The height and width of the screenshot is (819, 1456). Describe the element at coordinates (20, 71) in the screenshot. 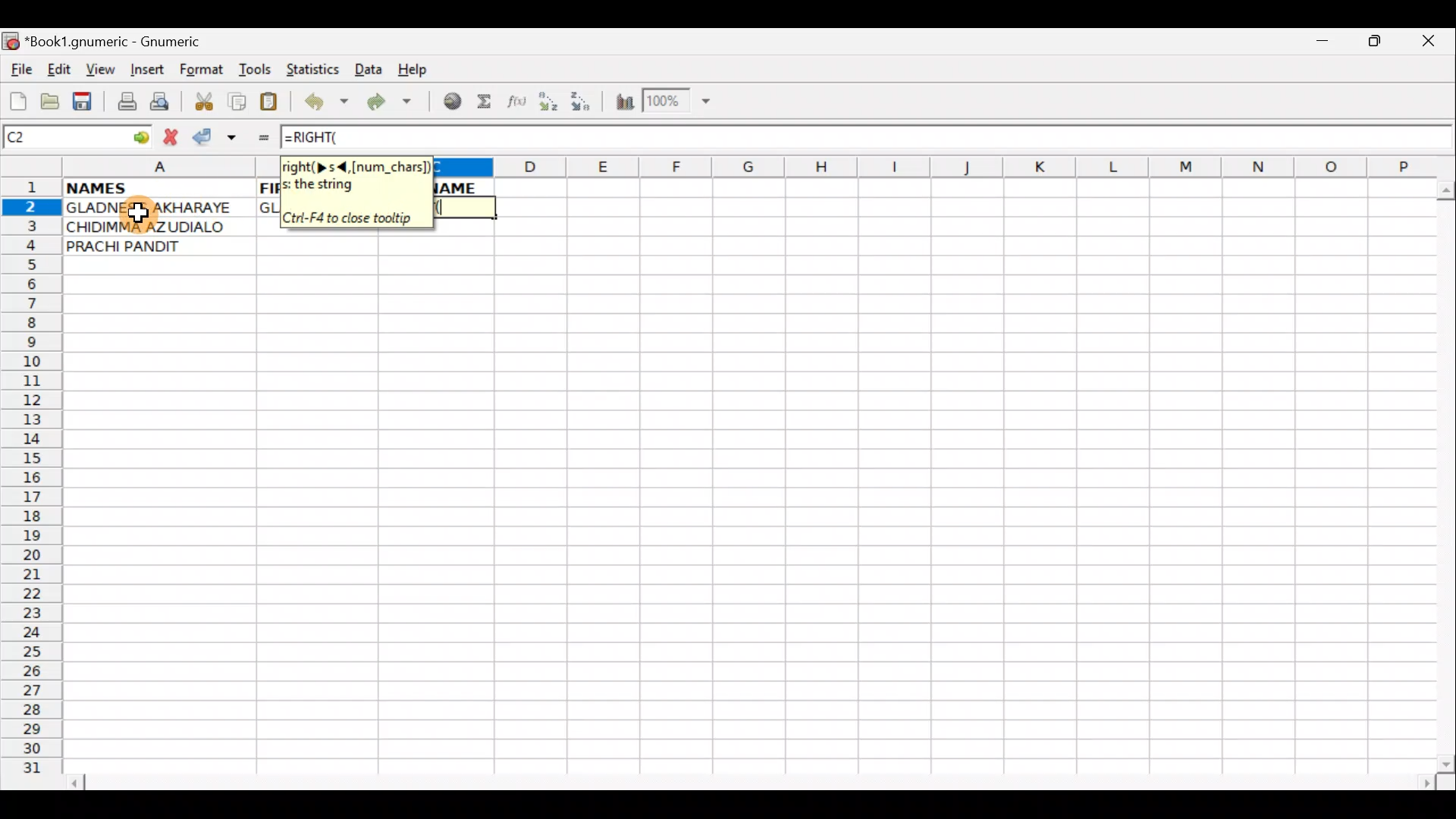

I see `File` at that location.